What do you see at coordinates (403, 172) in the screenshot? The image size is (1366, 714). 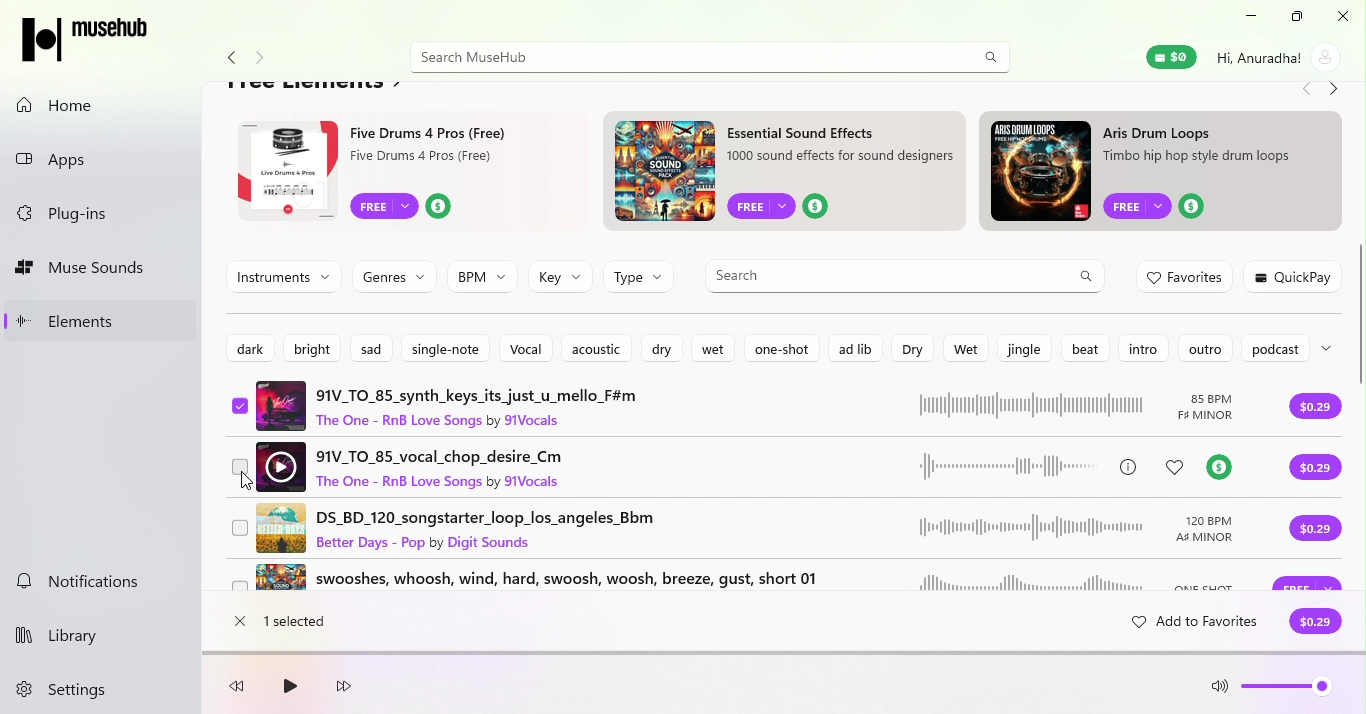 I see `ad` at bounding box center [403, 172].